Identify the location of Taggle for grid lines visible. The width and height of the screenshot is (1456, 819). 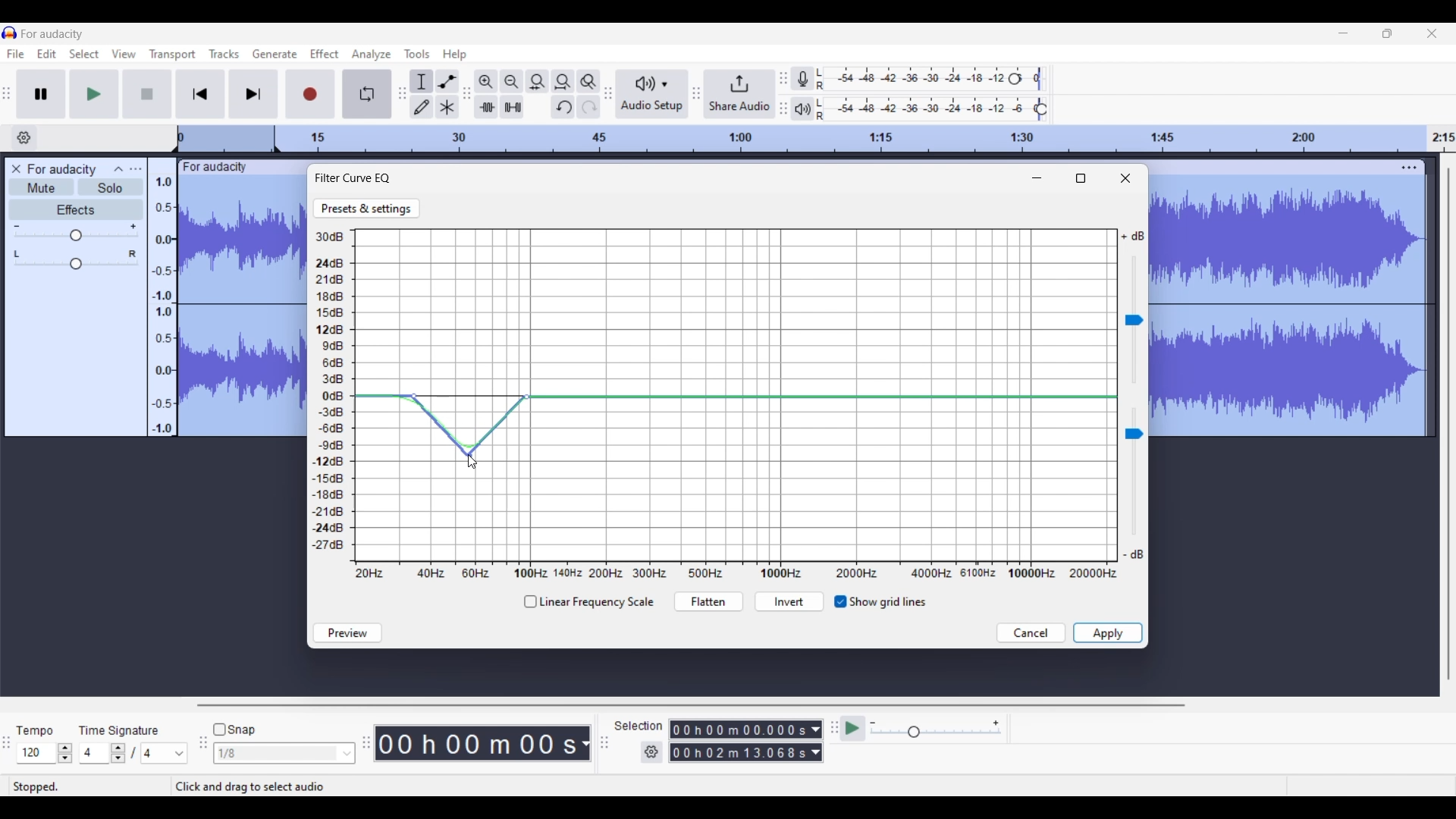
(880, 602).